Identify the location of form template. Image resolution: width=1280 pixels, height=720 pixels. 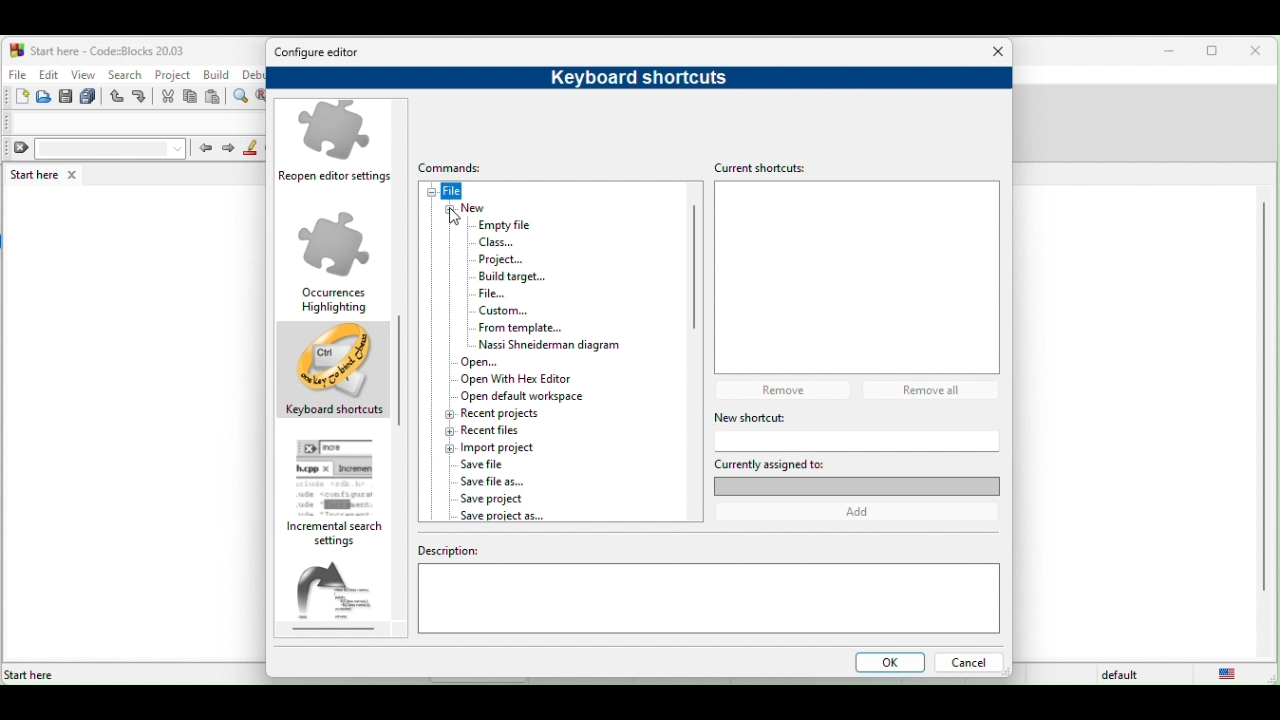
(520, 327).